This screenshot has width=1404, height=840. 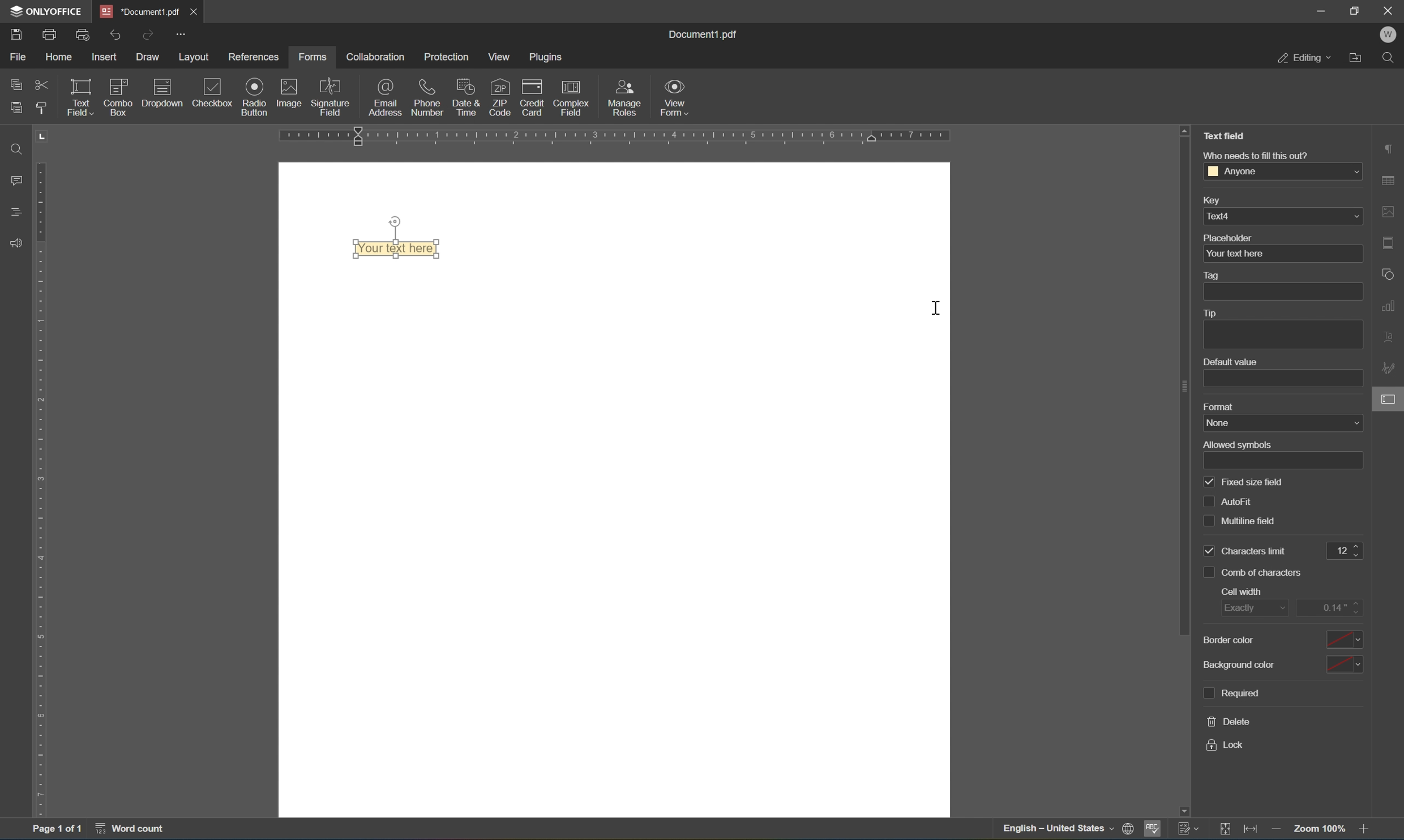 What do you see at coordinates (544, 57) in the screenshot?
I see `plugins` at bounding box center [544, 57].